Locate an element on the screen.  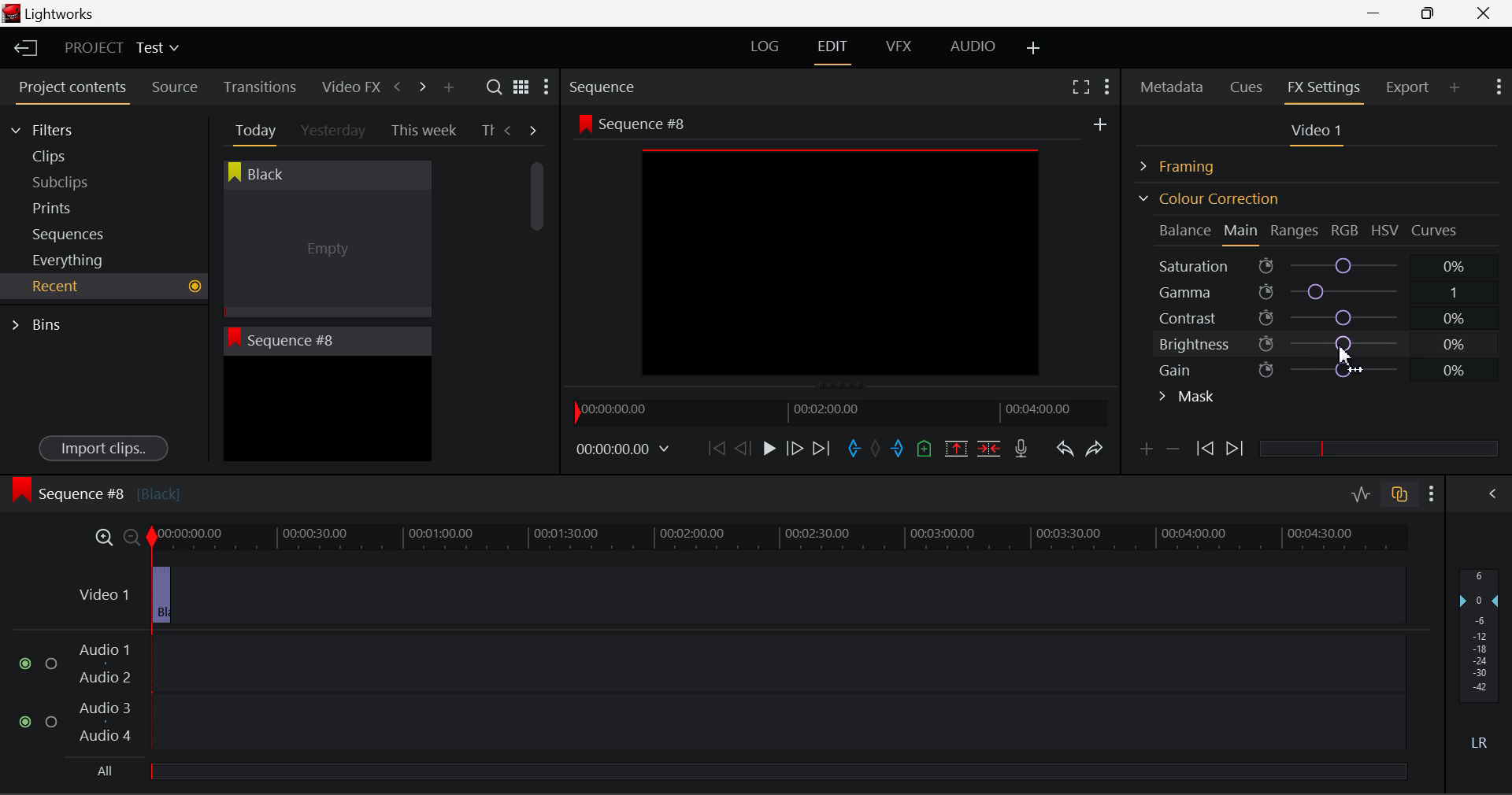
Framing Section is located at coordinates (1190, 164).